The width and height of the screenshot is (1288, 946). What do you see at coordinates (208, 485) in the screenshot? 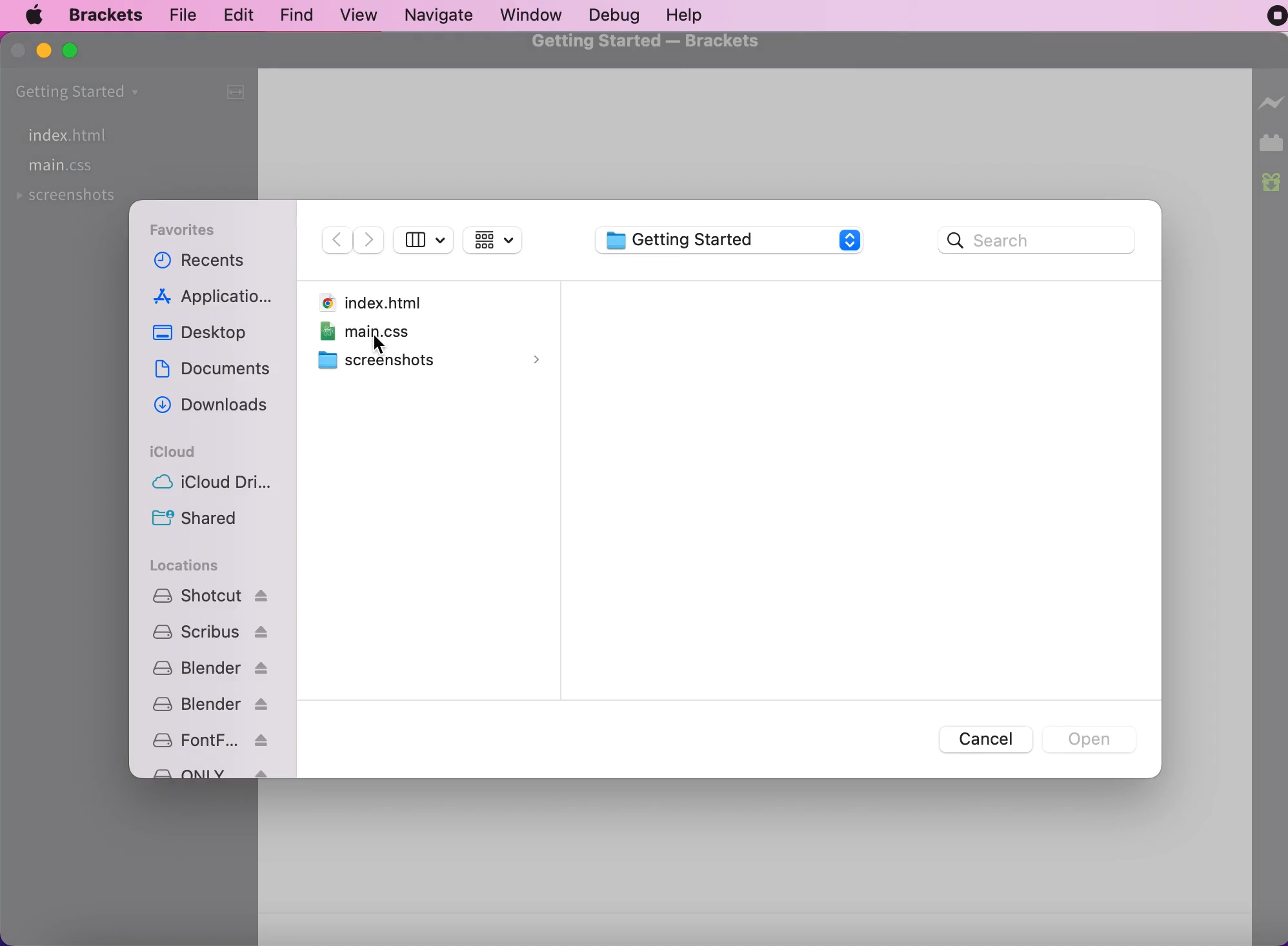
I see `icloud drive` at bounding box center [208, 485].